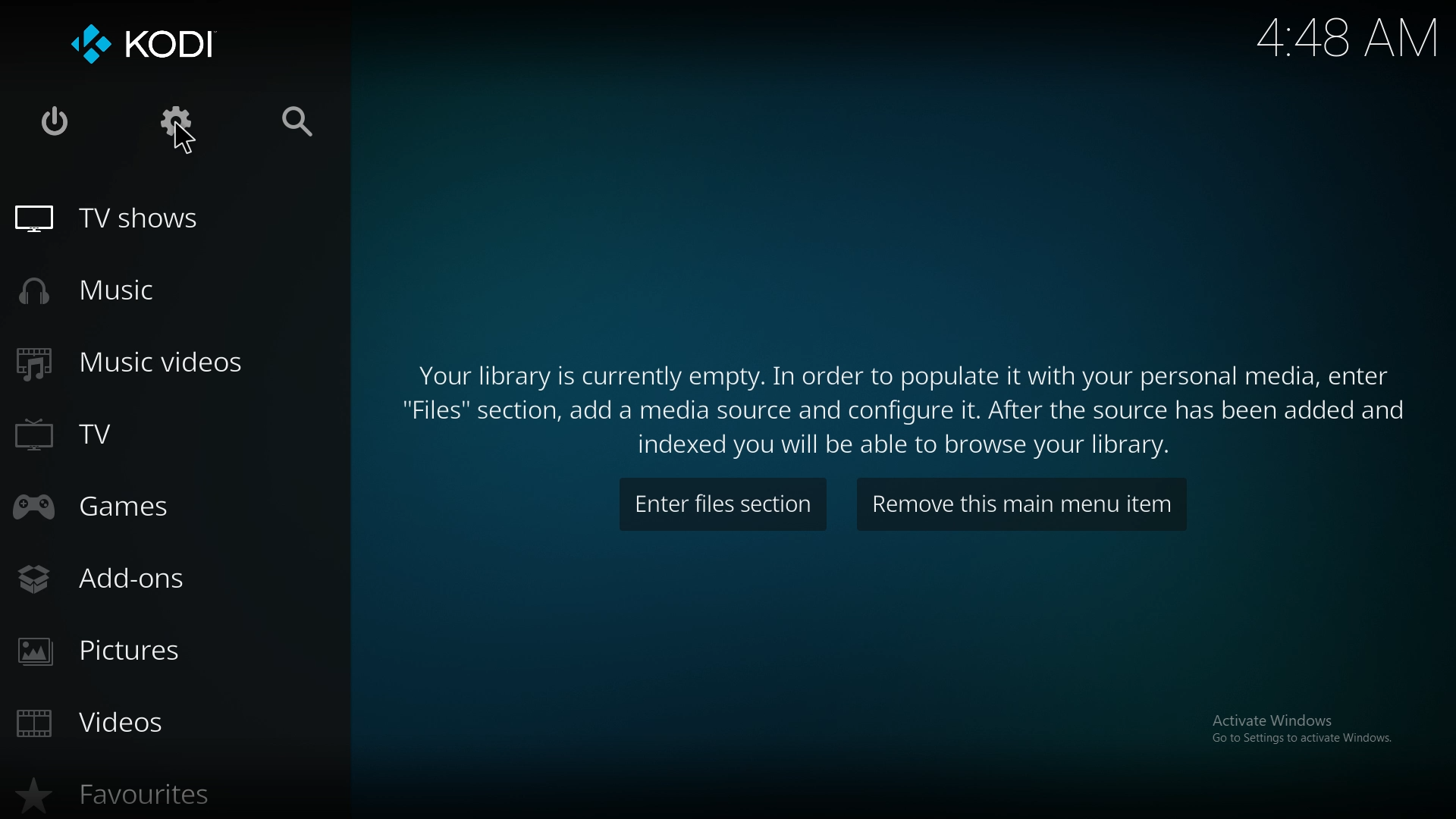  I want to click on kodi, so click(149, 42).